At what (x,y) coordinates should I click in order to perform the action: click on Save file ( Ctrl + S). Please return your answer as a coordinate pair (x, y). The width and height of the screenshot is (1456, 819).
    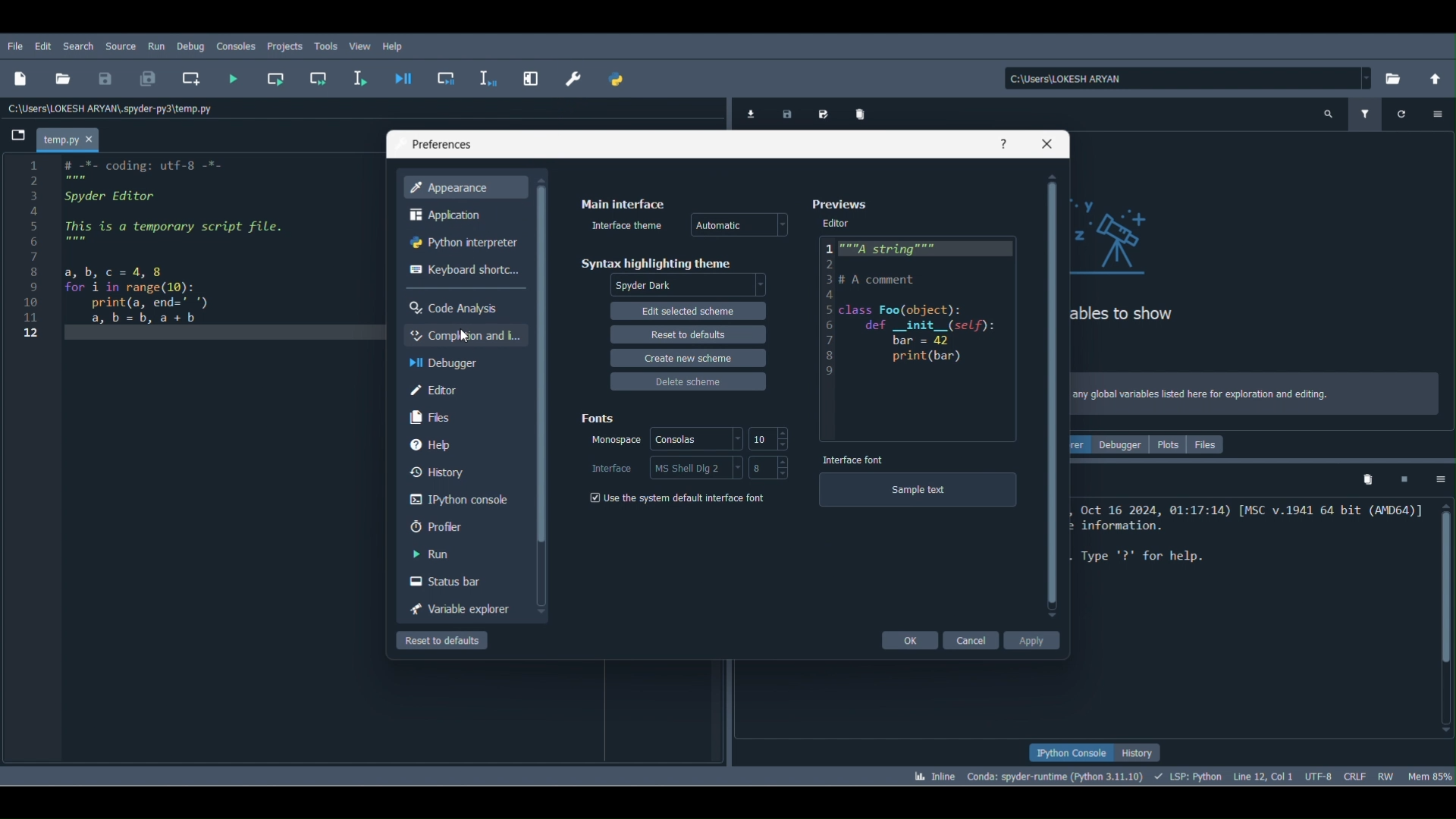
    Looking at the image, I should click on (106, 80).